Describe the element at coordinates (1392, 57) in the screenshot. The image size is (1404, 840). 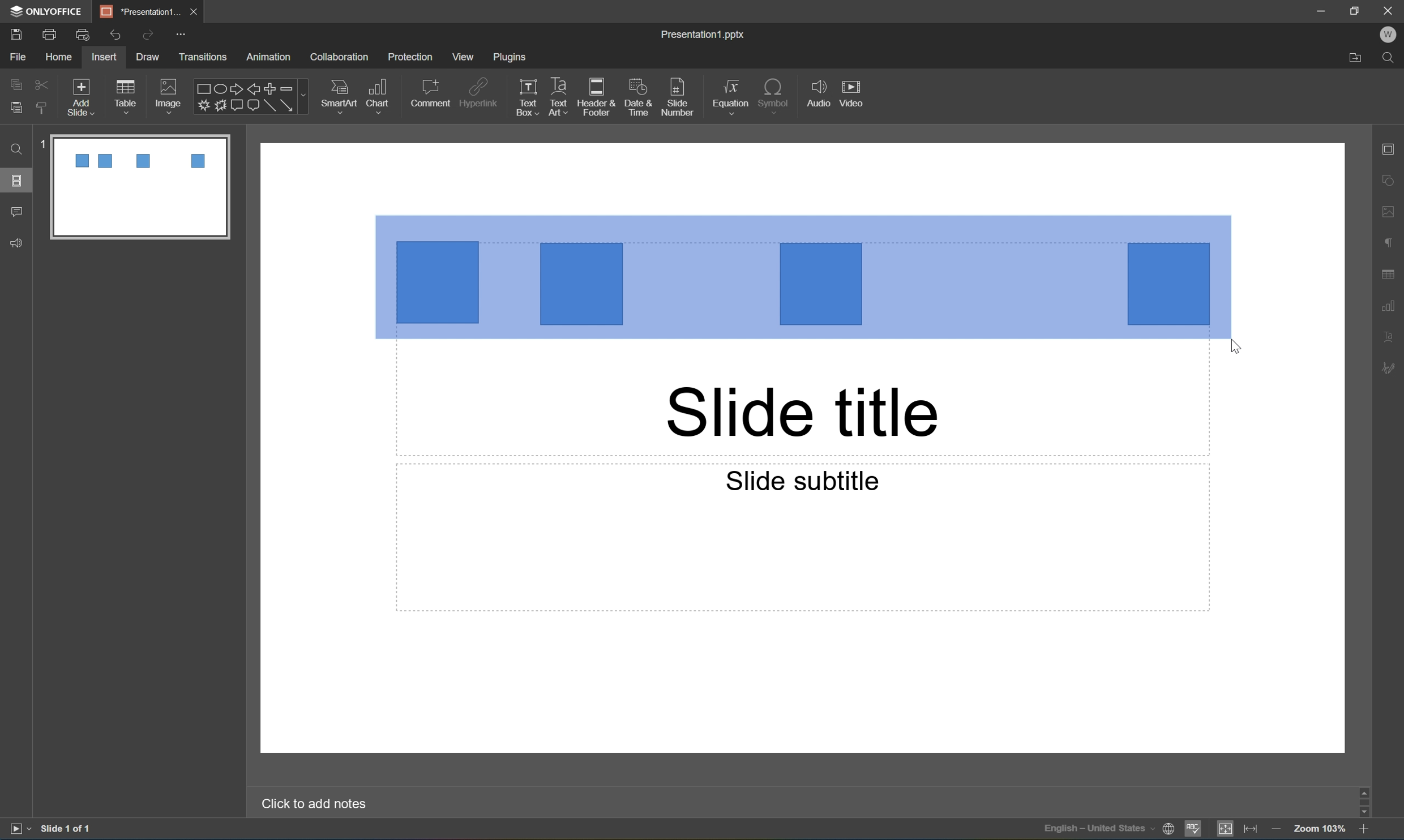
I see `Find` at that location.